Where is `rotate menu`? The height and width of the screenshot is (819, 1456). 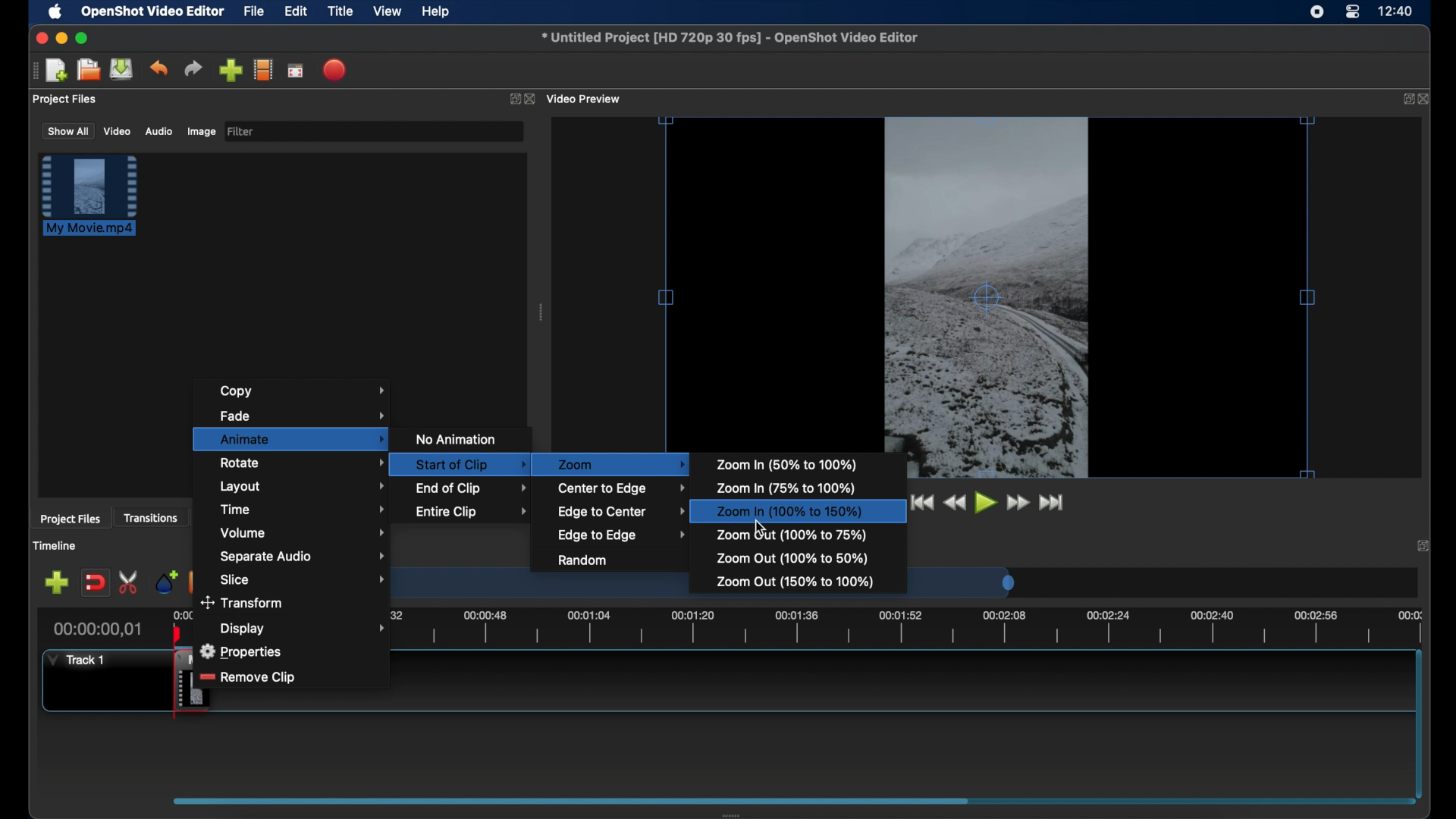
rotate menu is located at coordinates (294, 463).